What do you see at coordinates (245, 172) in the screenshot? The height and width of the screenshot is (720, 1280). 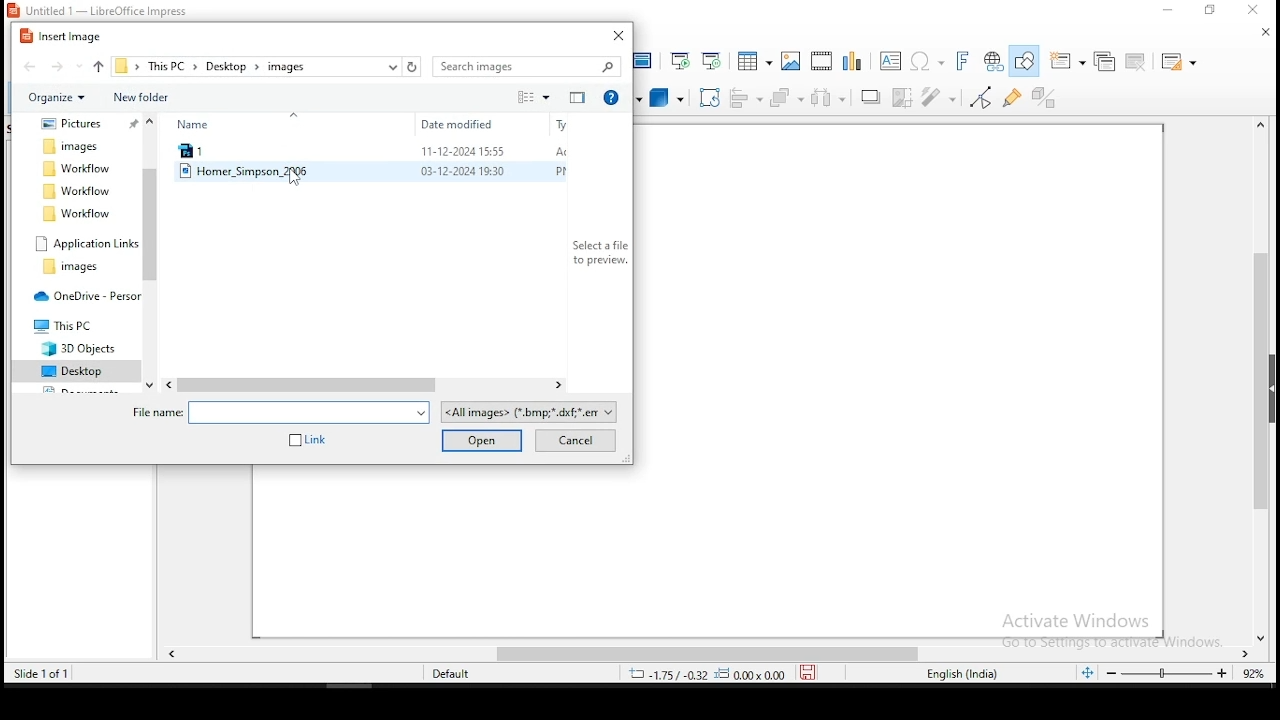 I see `image` at bounding box center [245, 172].